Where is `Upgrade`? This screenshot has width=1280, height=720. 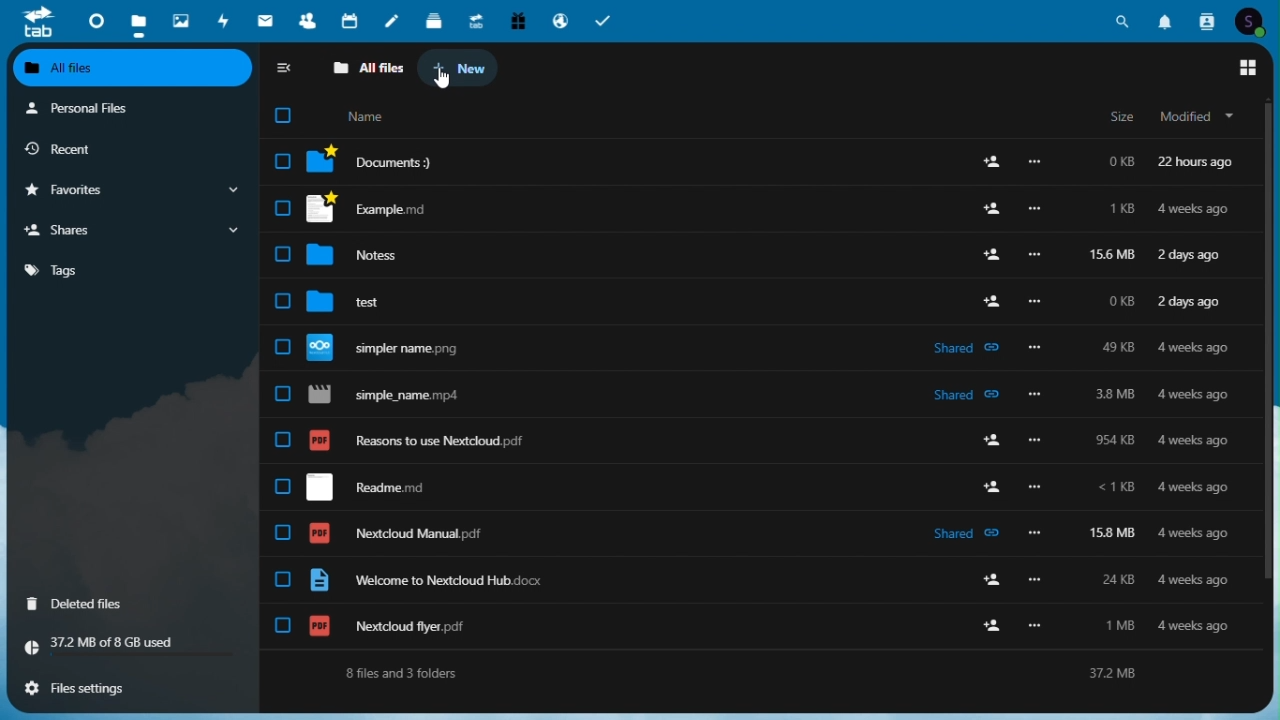
Upgrade is located at coordinates (476, 20).